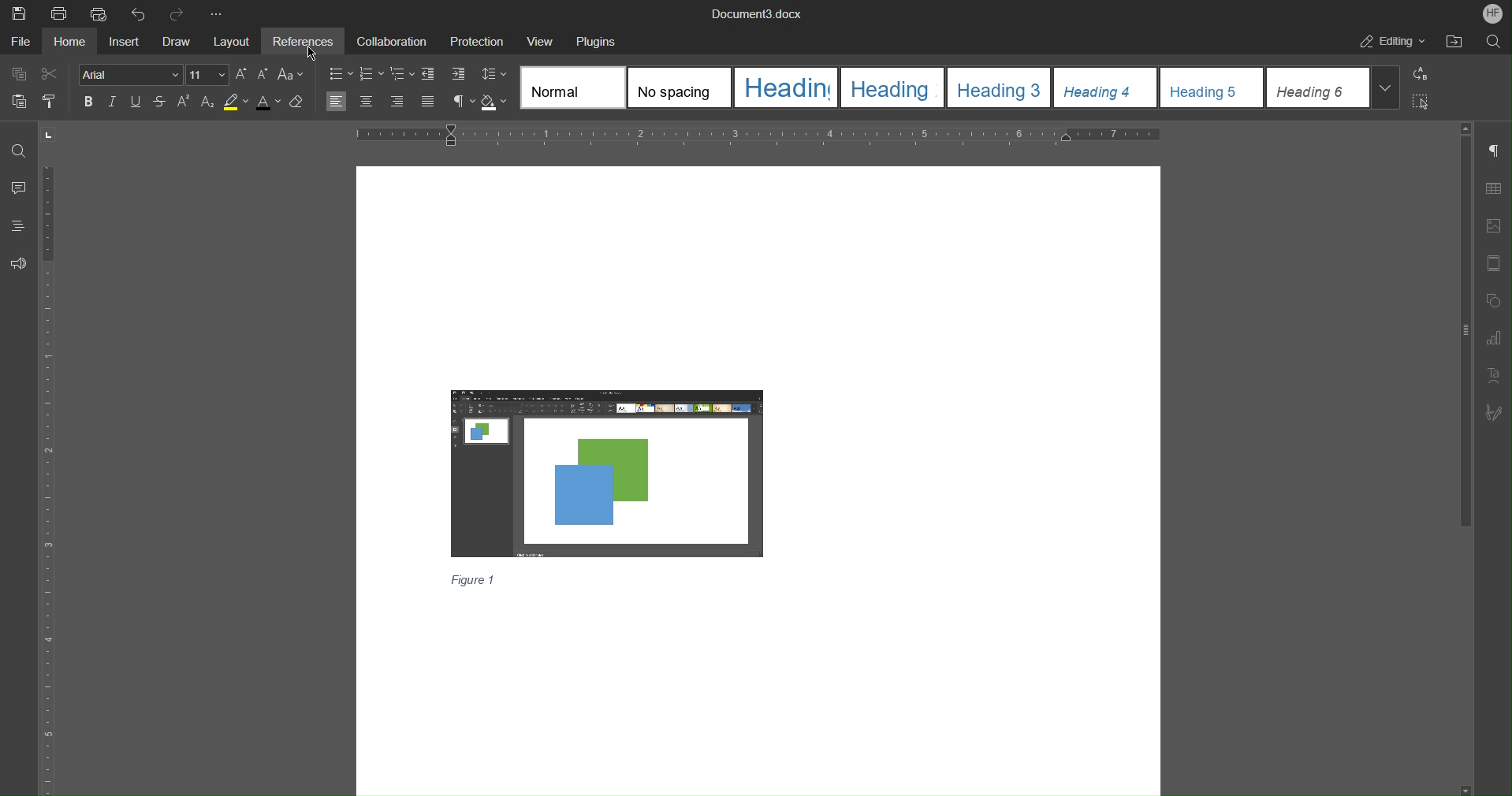 This screenshot has height=796, width=1512. What do you see at coordinates (17, 264) in the screenshot?
I see `Feedback and Support` at bounding box center [17, 264].